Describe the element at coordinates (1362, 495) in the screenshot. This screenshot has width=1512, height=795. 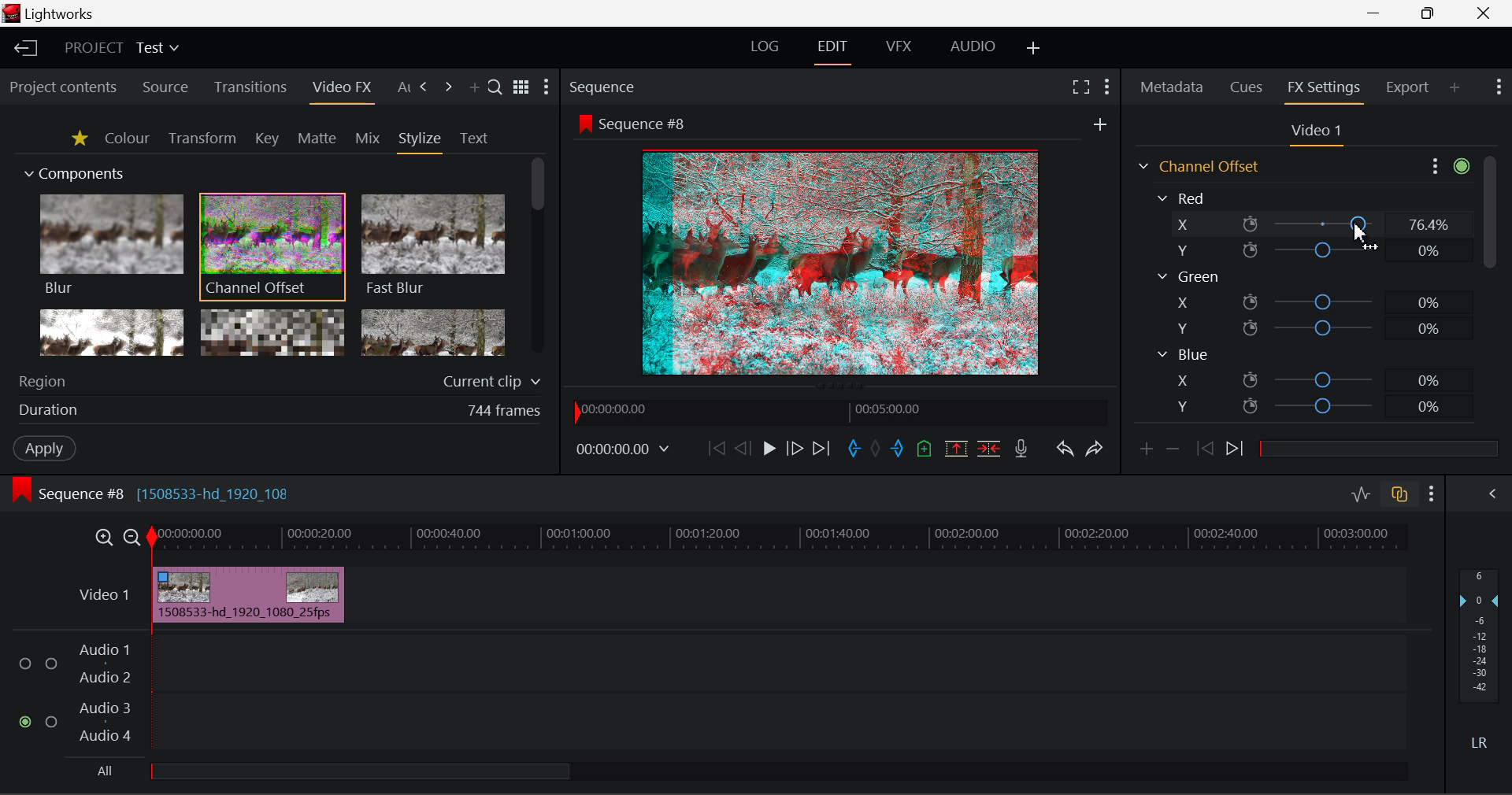
I see `Toggle Audio Levels Editing` at that location.